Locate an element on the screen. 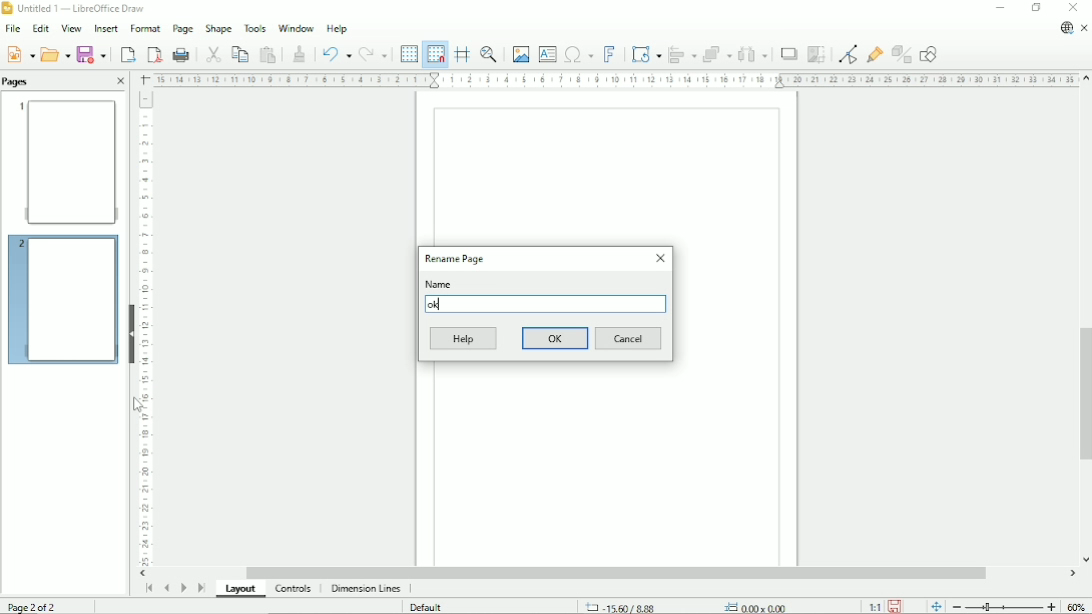 This screenshot has height=614, width=1092. Show gluepoint functions is located at coordinates (875, 54).